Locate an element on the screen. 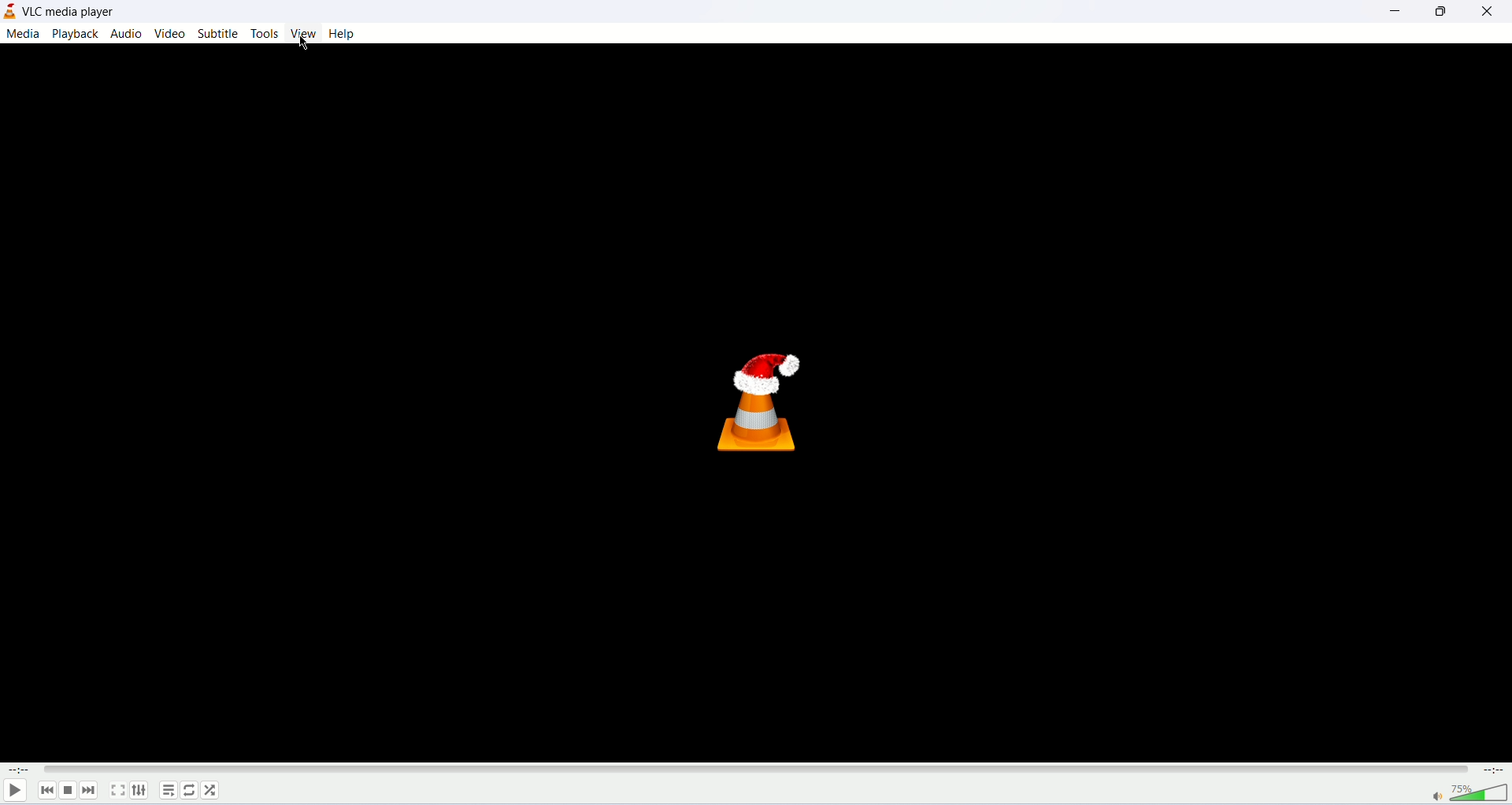 Image resolution: width=1512 pixels, height=805 pixels. total time is located at coordinates (1496, 771).